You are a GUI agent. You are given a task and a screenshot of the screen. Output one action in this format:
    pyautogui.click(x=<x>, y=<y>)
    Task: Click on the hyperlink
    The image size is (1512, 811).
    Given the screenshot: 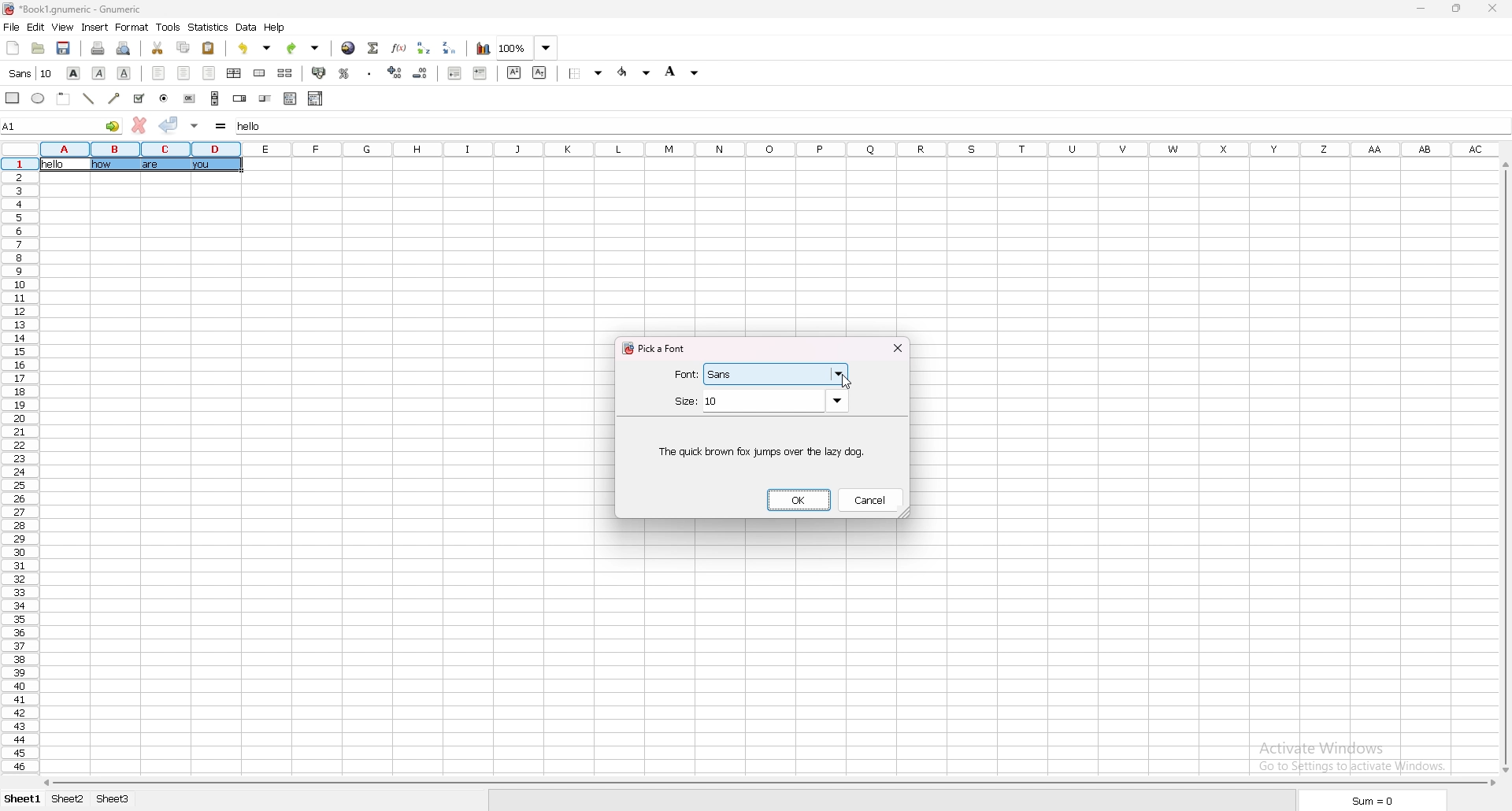 What is the action you would take?
    pyautogui.click(x=349, y=47)
    